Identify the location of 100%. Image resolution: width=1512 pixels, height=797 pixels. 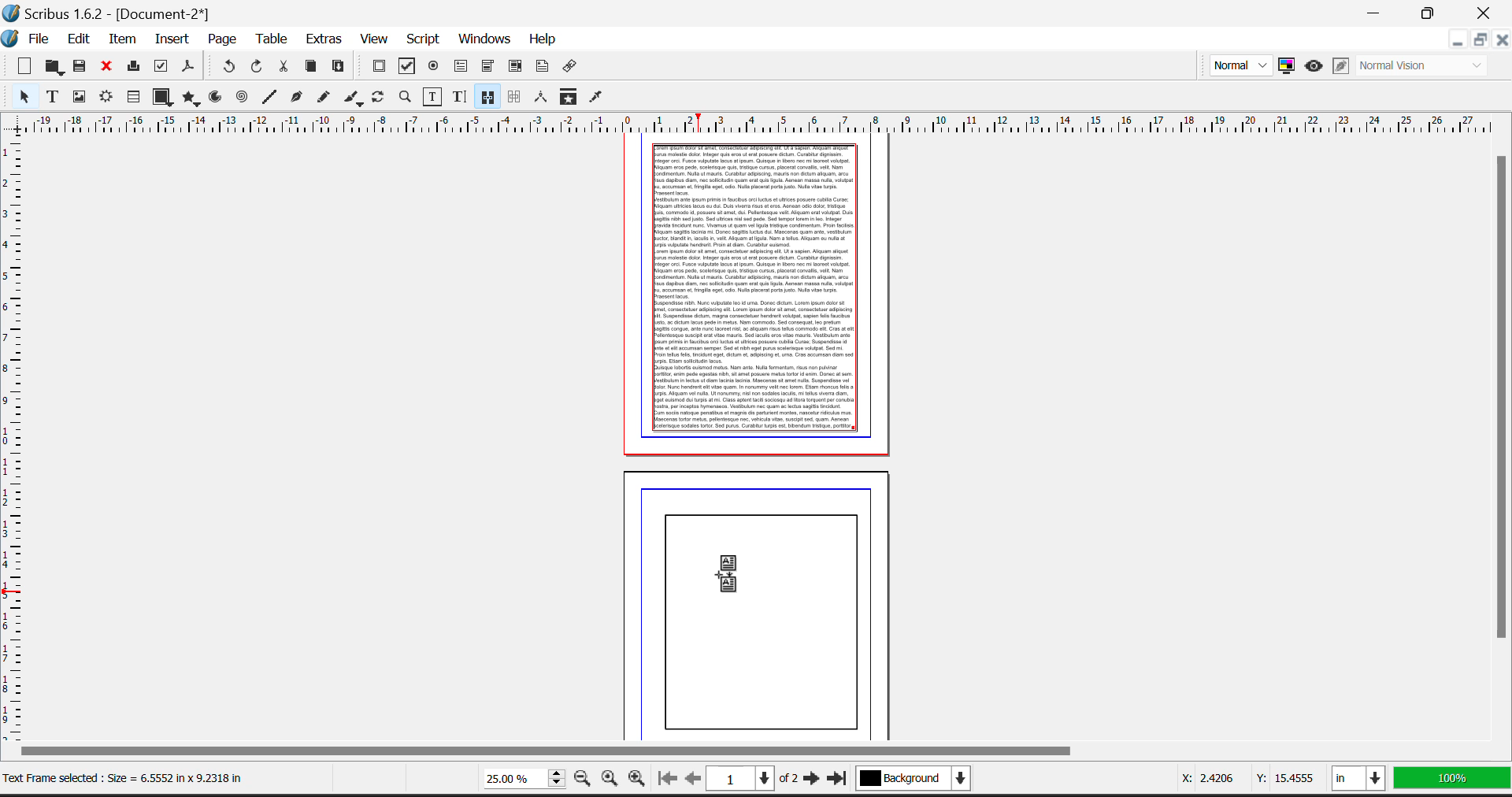
(1454, 782).